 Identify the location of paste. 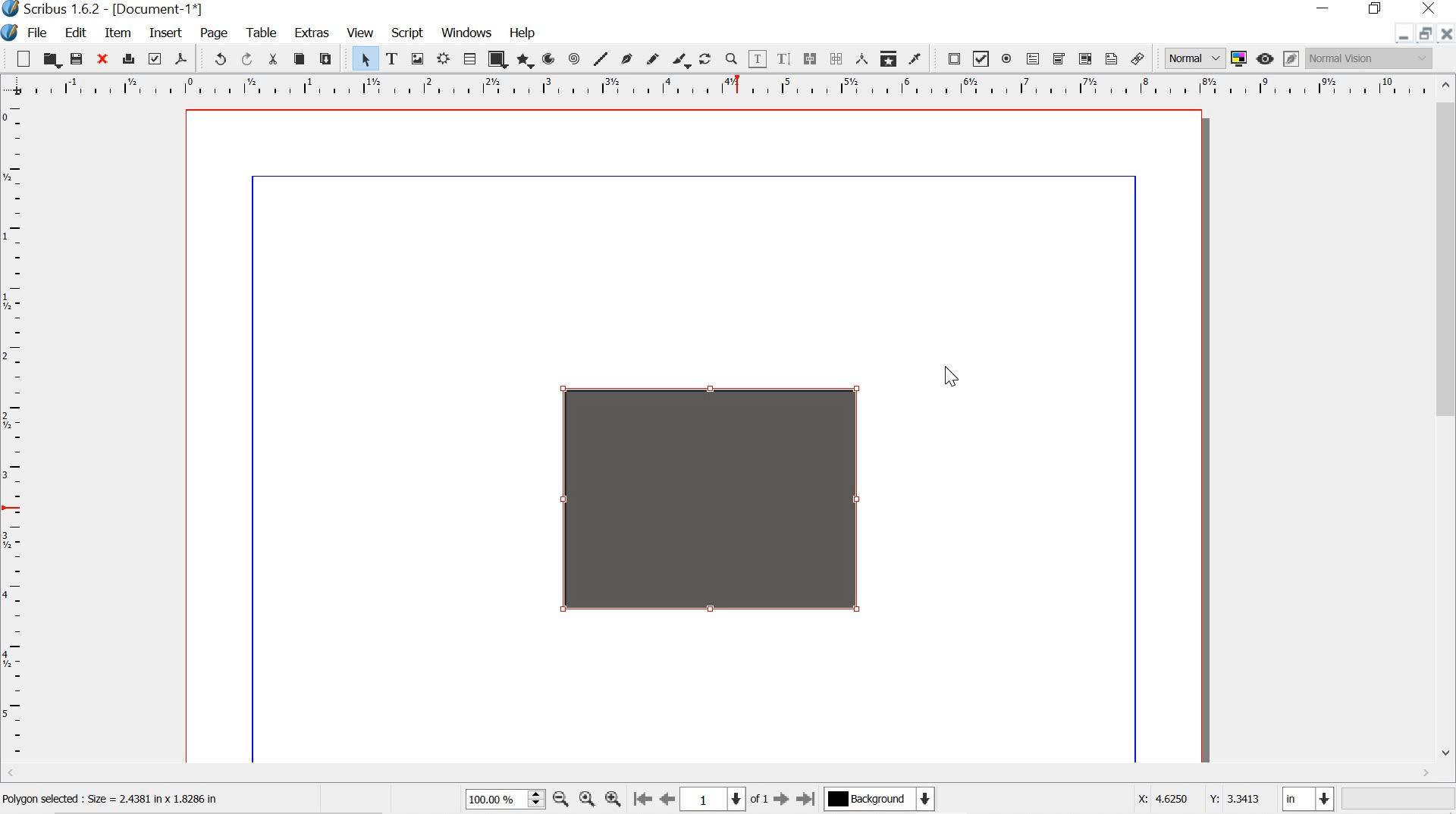
(331, 59).